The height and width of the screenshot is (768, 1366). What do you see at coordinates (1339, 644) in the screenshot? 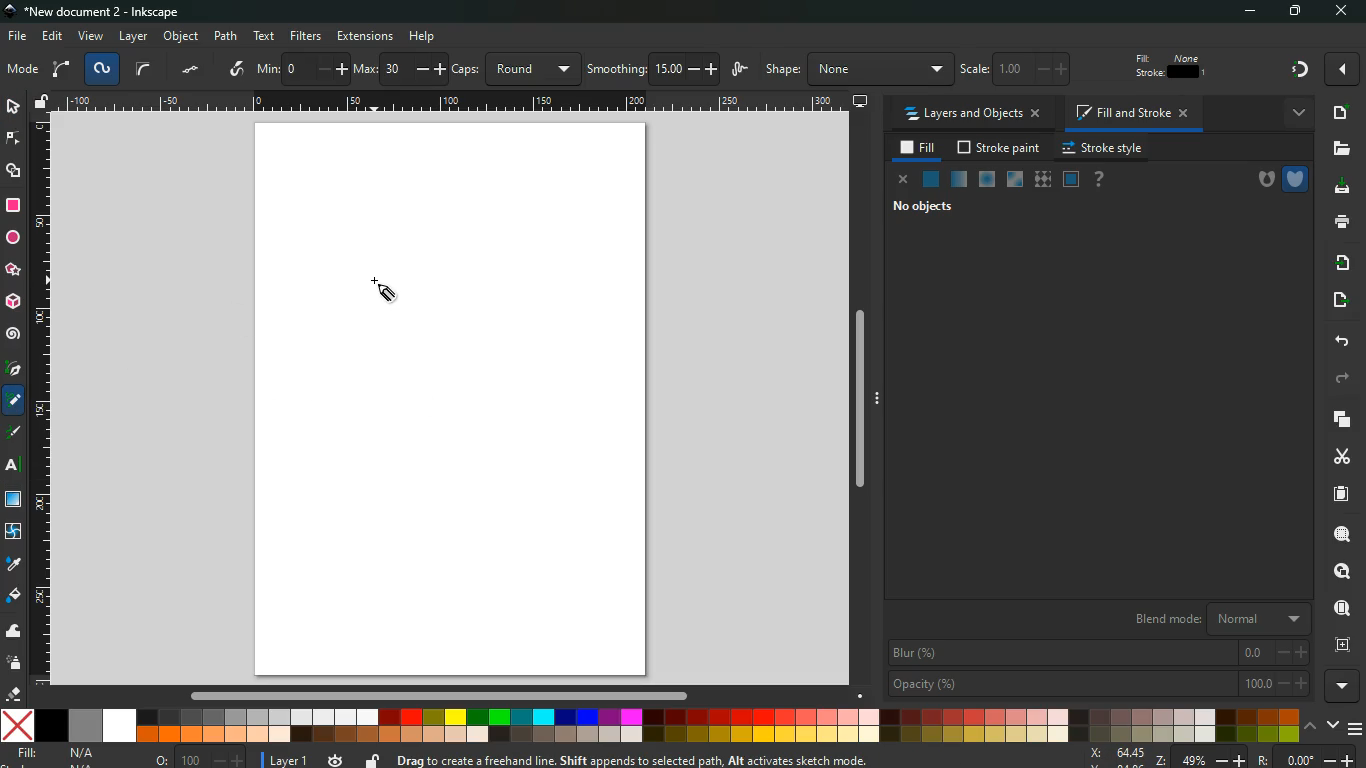
I see `frame` at bounding box center [1339, 644].